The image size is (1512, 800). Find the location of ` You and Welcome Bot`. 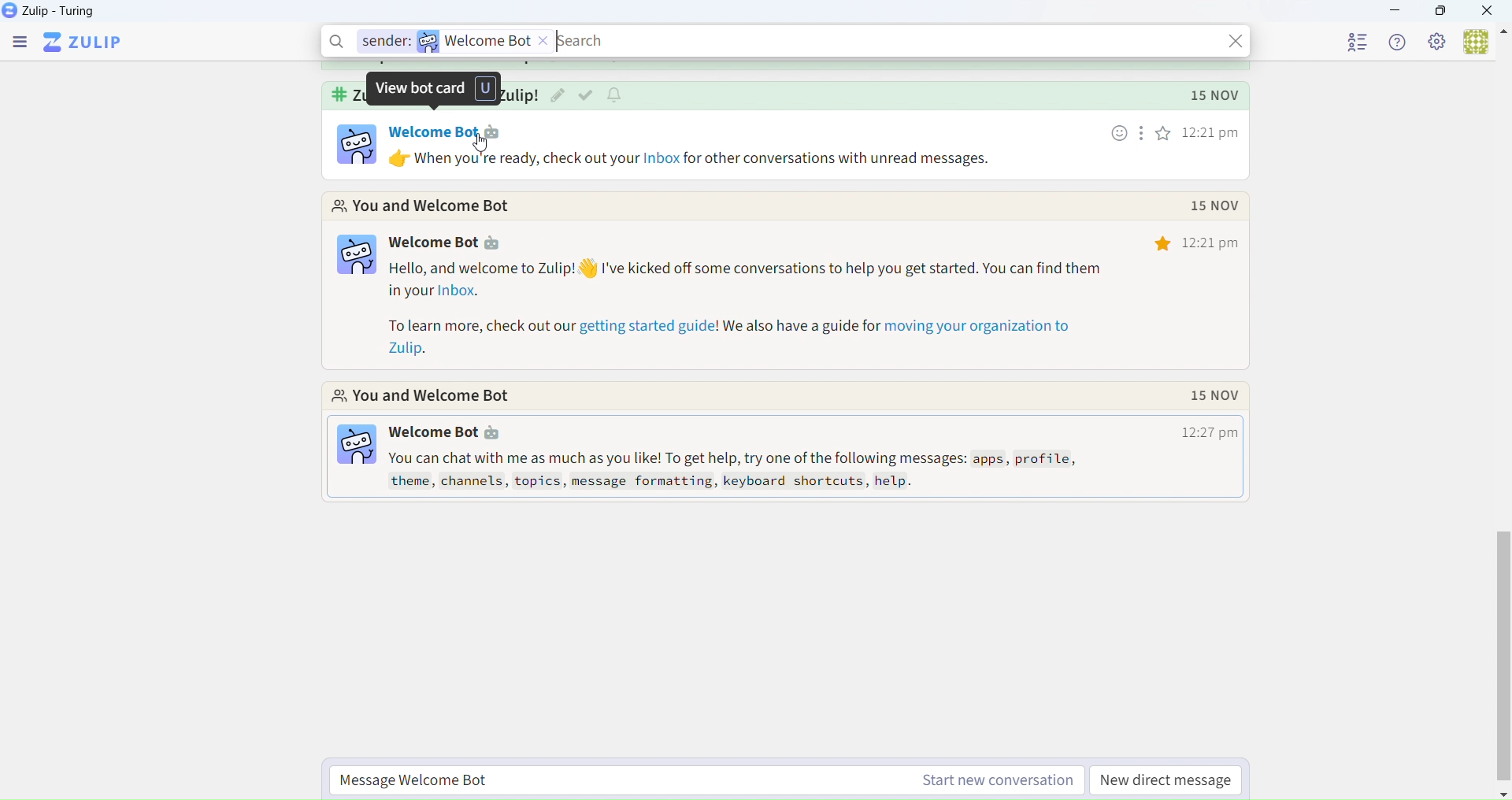

 You and Welcome Bot is located at coordinates (423, 206).